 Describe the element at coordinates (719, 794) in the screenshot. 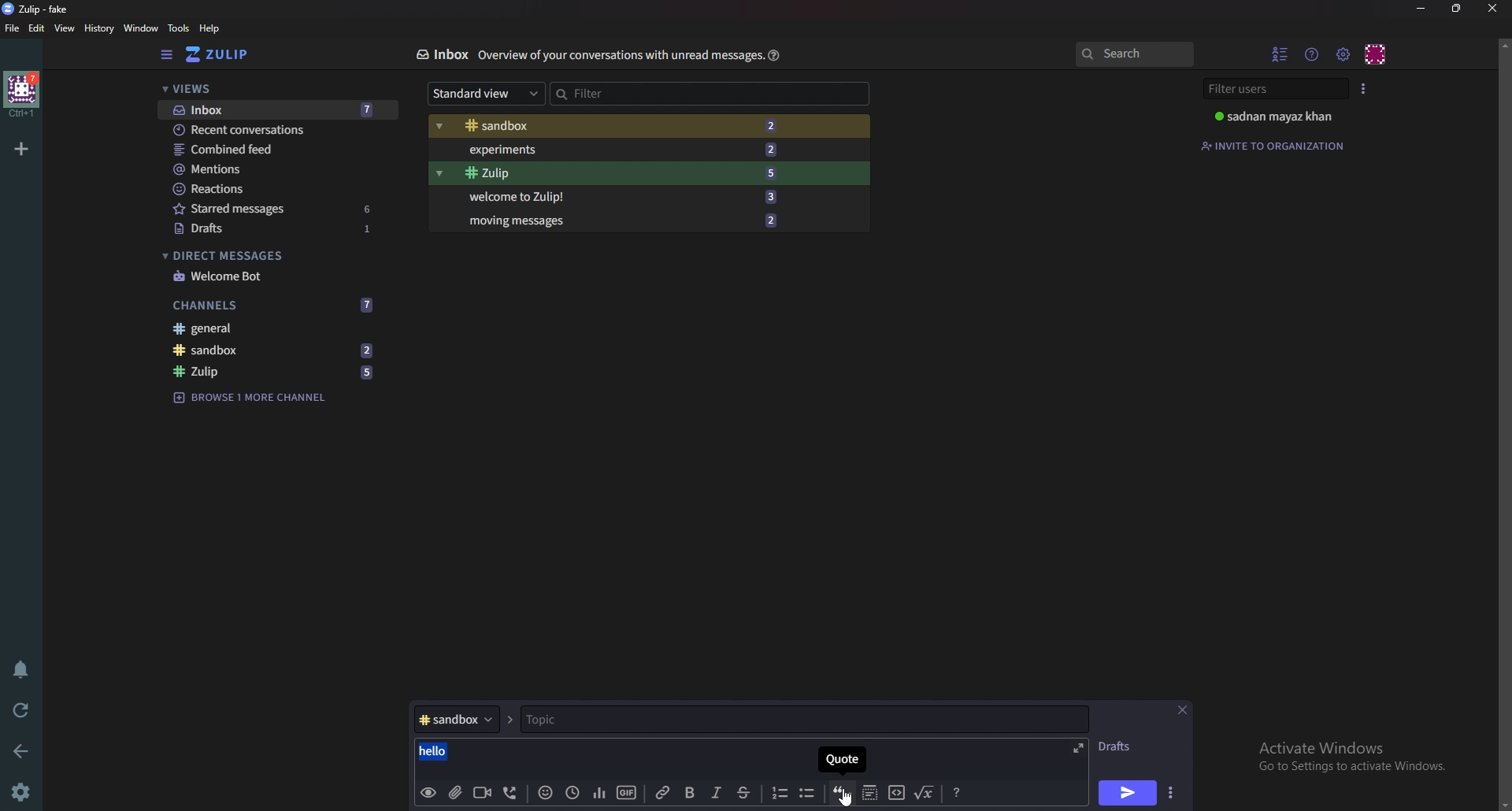

I see `Italic` at that location.